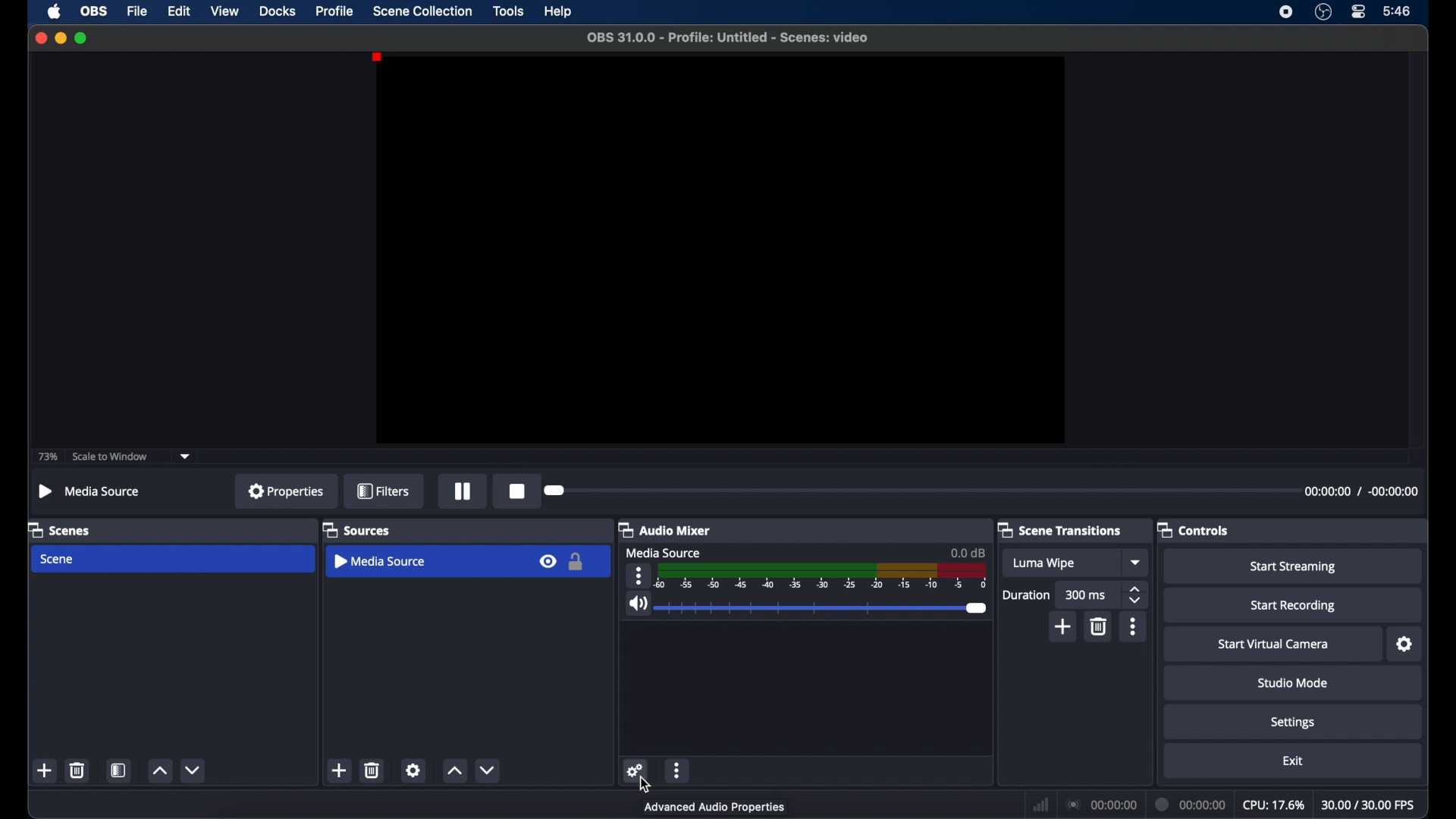  What do you see at coordinates (224, 11) in the screenshot?
I see `view` at bounding box center [224, 11].